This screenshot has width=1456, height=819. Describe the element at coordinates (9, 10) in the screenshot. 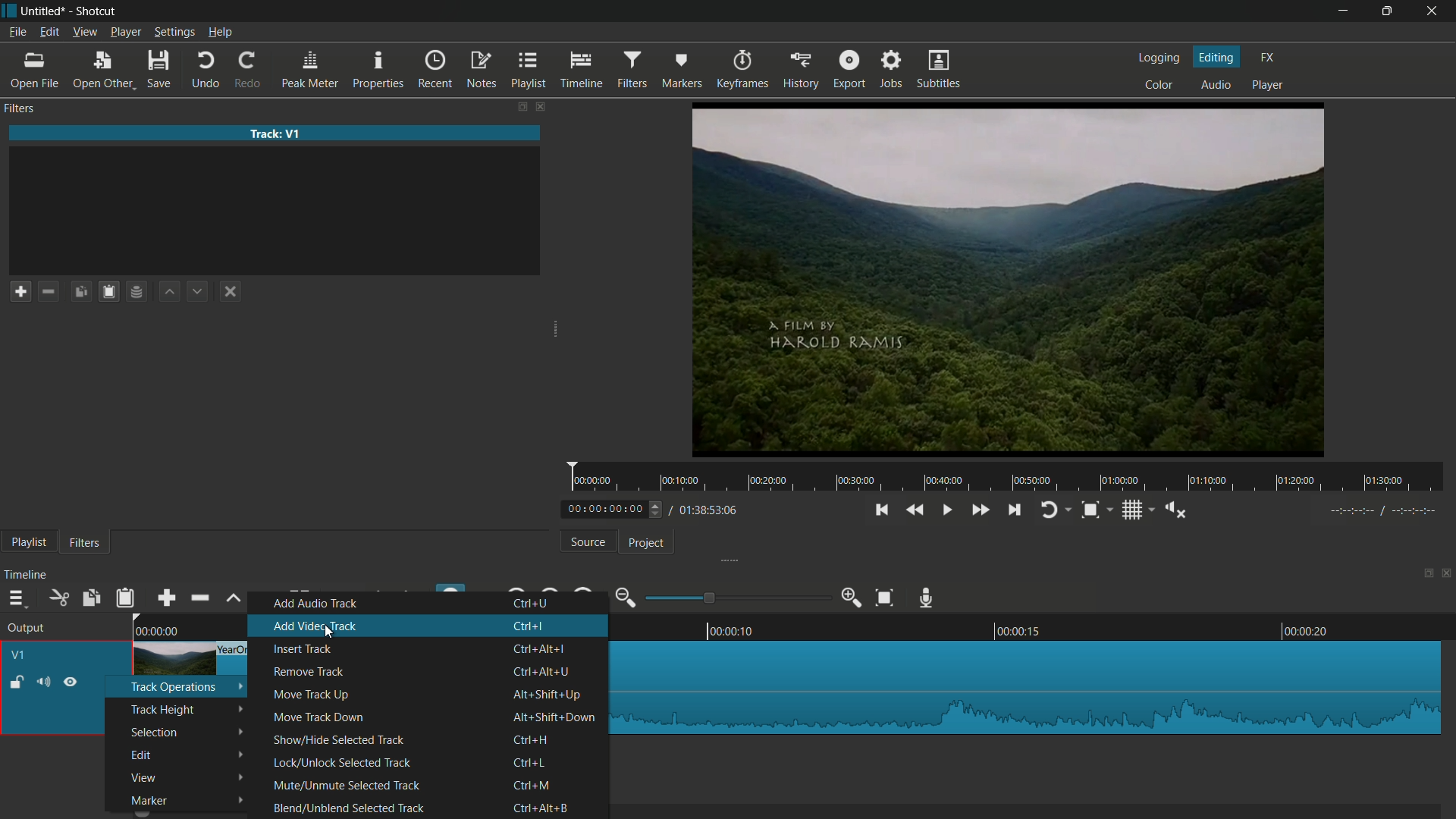

I see `app icon` at that location.